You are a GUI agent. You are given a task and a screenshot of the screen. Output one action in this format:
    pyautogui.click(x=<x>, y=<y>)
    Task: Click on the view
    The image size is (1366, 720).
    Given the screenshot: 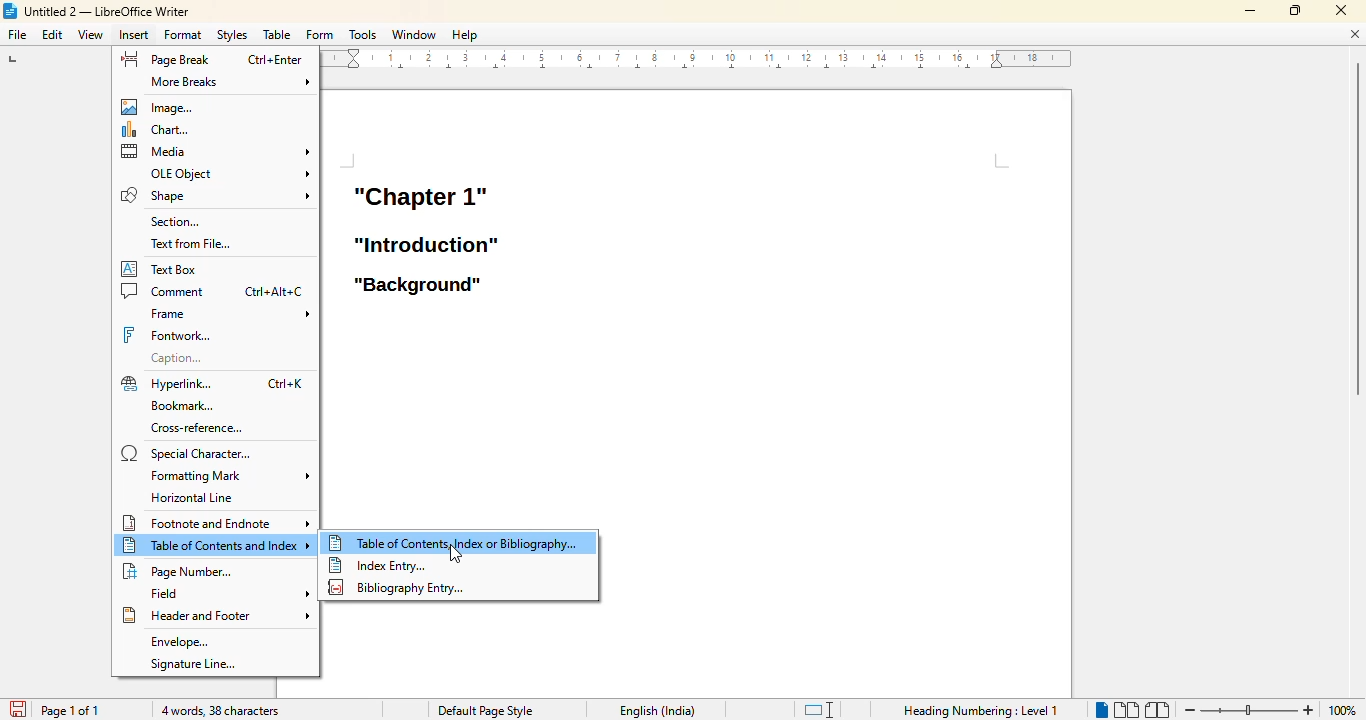 What is the action you would take?
    pyautogui.click(x=90, y=35)
    